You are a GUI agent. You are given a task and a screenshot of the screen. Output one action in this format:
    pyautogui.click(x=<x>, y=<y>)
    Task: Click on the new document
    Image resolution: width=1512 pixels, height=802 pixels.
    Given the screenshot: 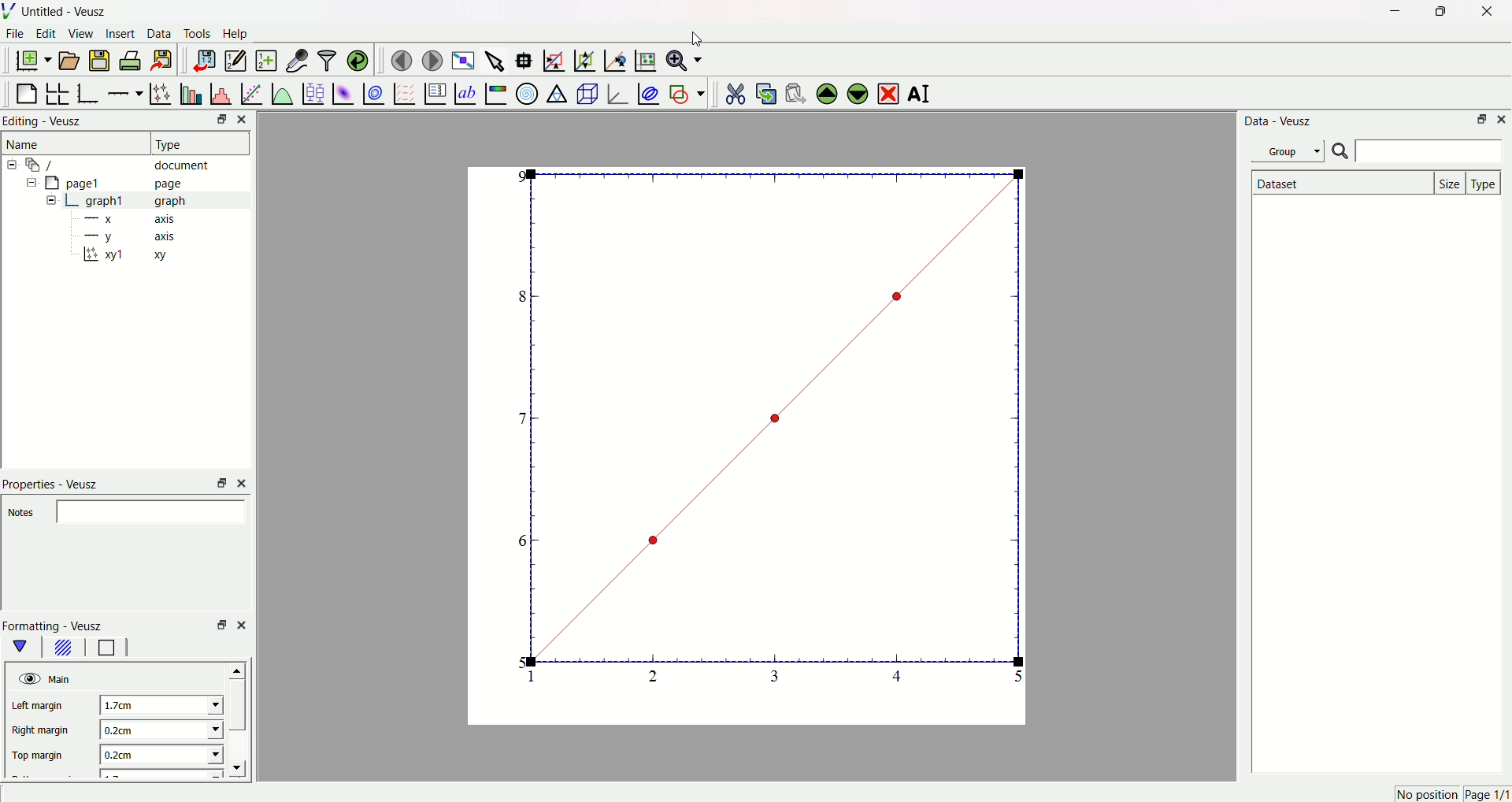 What is the action you would take?
    pyautogui.click(x=35, y=61)
    